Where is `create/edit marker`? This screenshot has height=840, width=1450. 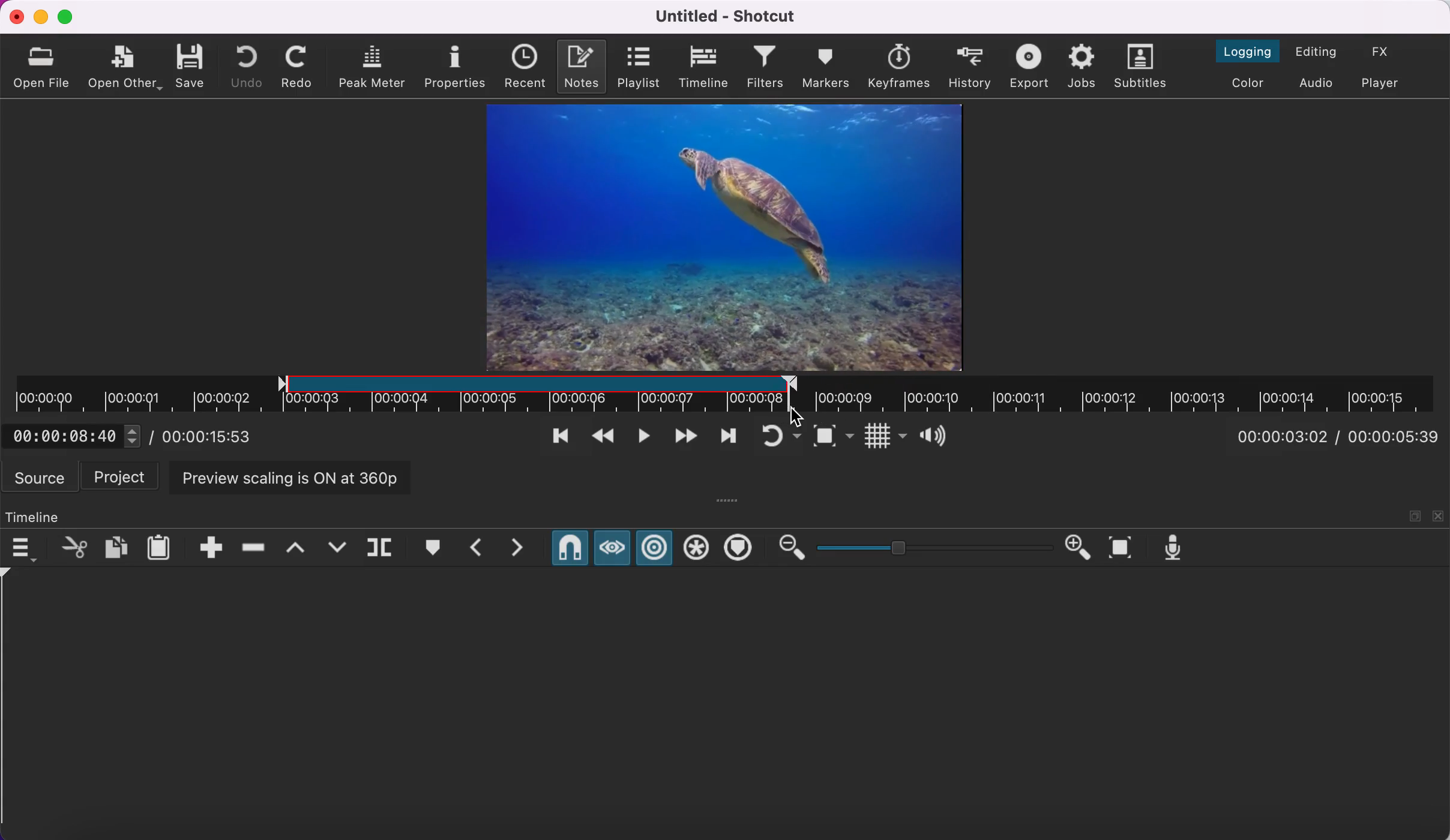 create/edit marker is located at coordinates (432, 545).